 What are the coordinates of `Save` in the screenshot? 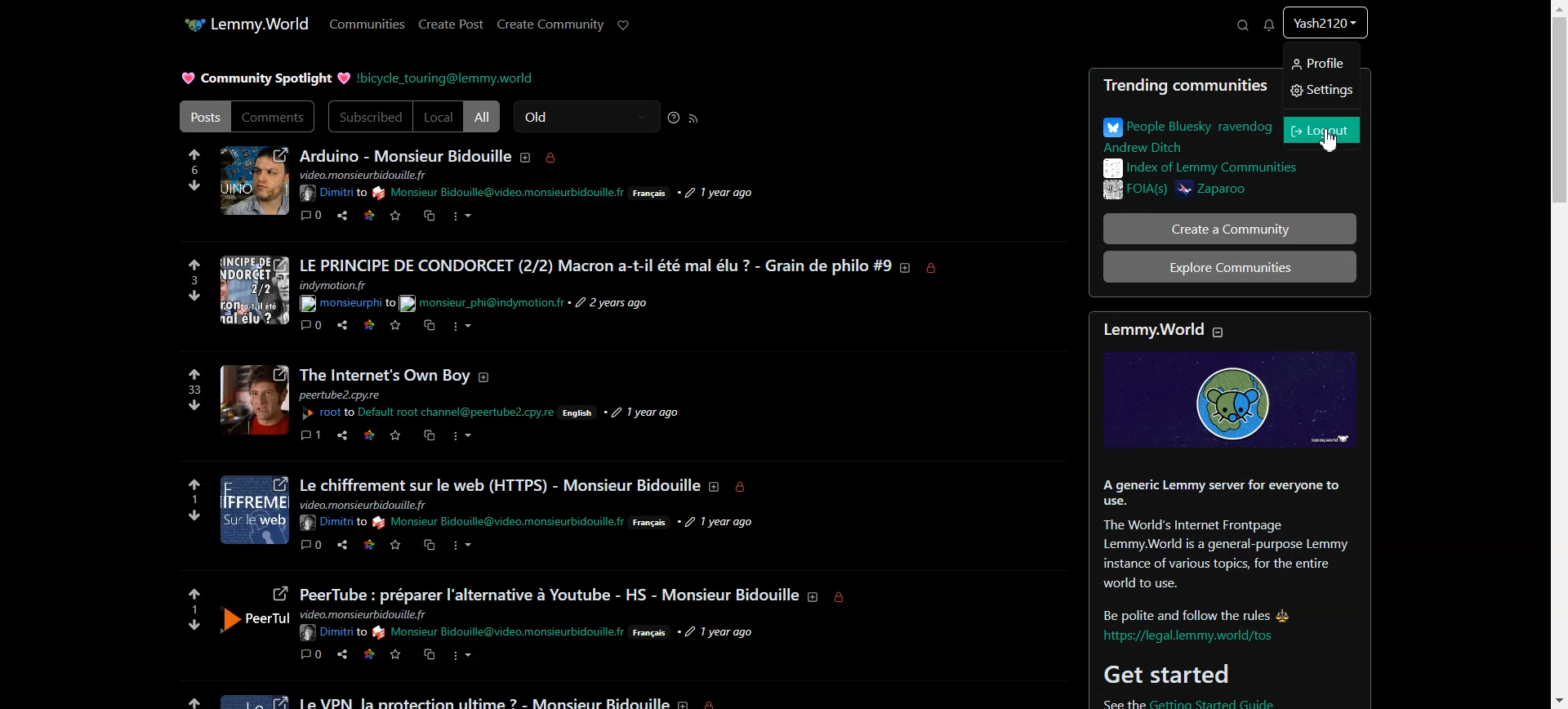 It's located at (396, 216).